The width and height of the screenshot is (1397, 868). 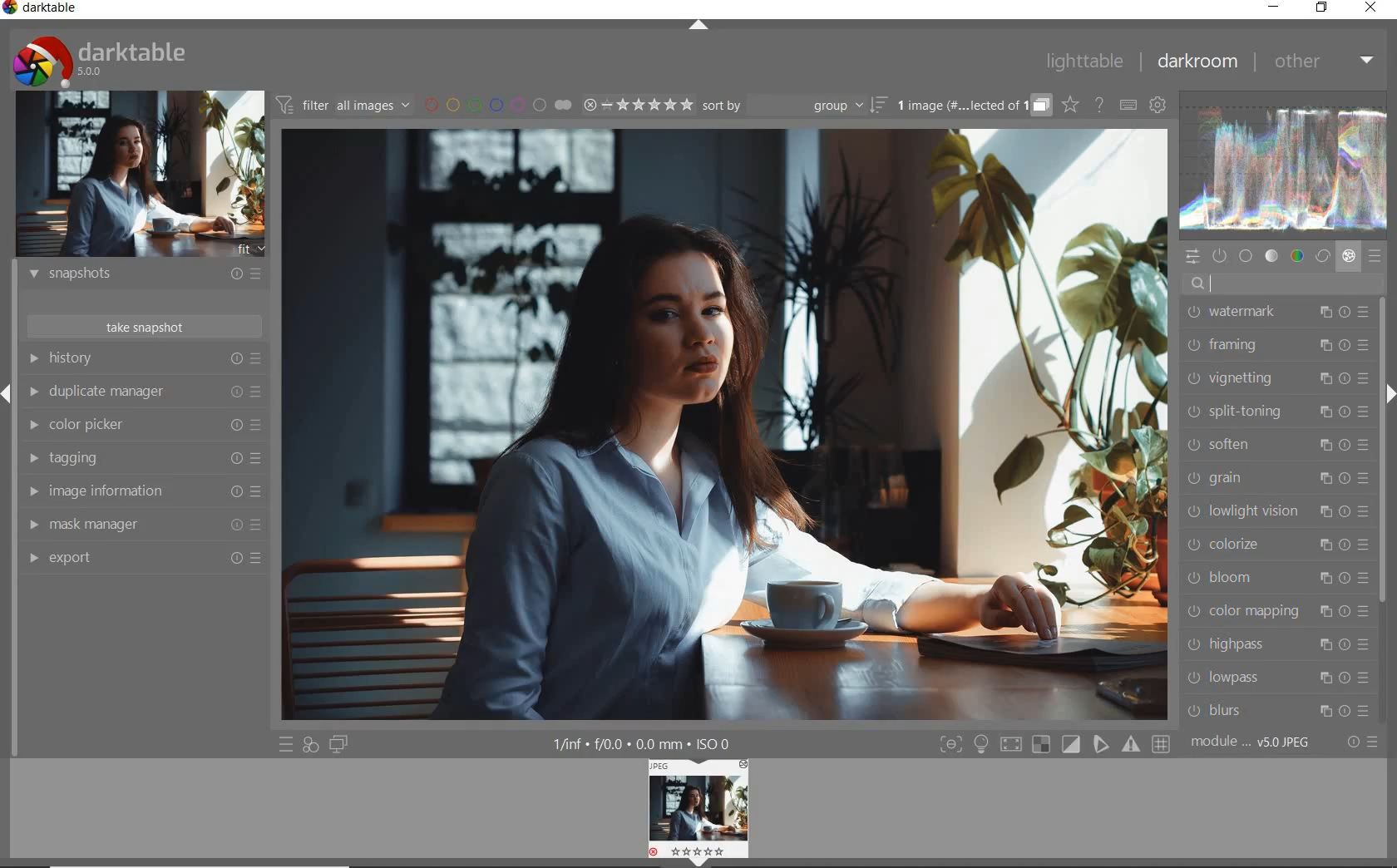 What do you see at coordinates (1158, 106) in the screenshot?
I see `show global preferences` at bounding box center [1158, 106].